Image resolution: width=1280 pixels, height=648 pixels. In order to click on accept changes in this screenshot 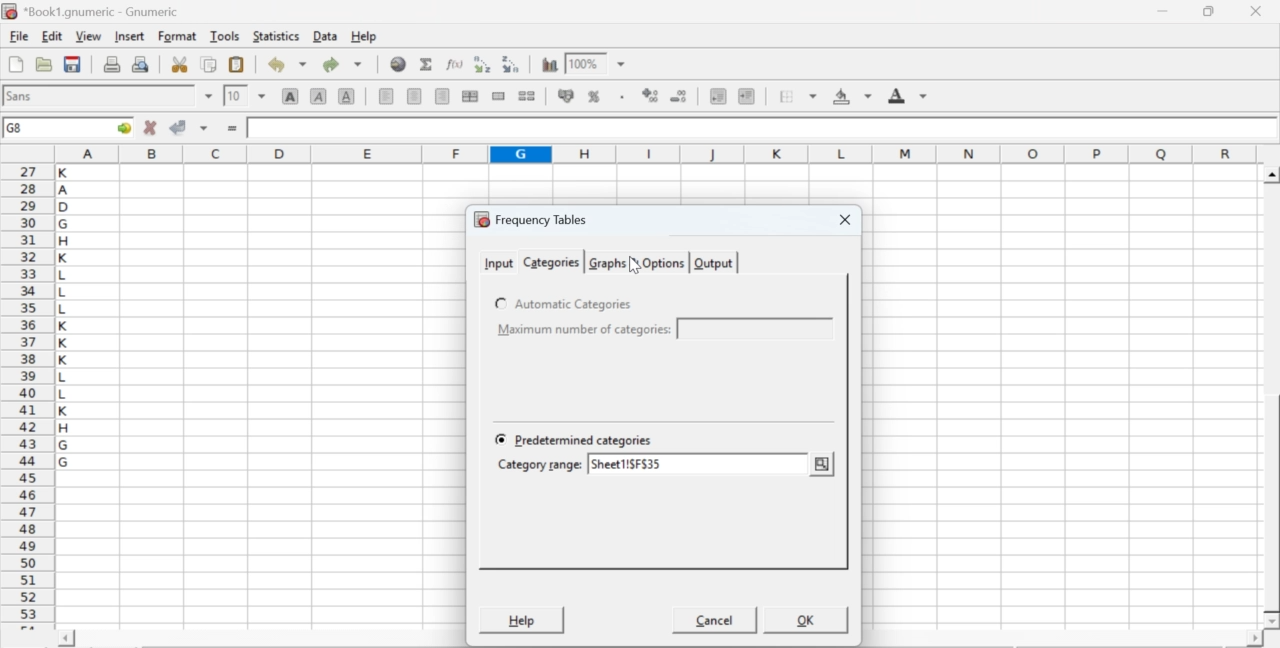, I will do `click(179, 126)`.